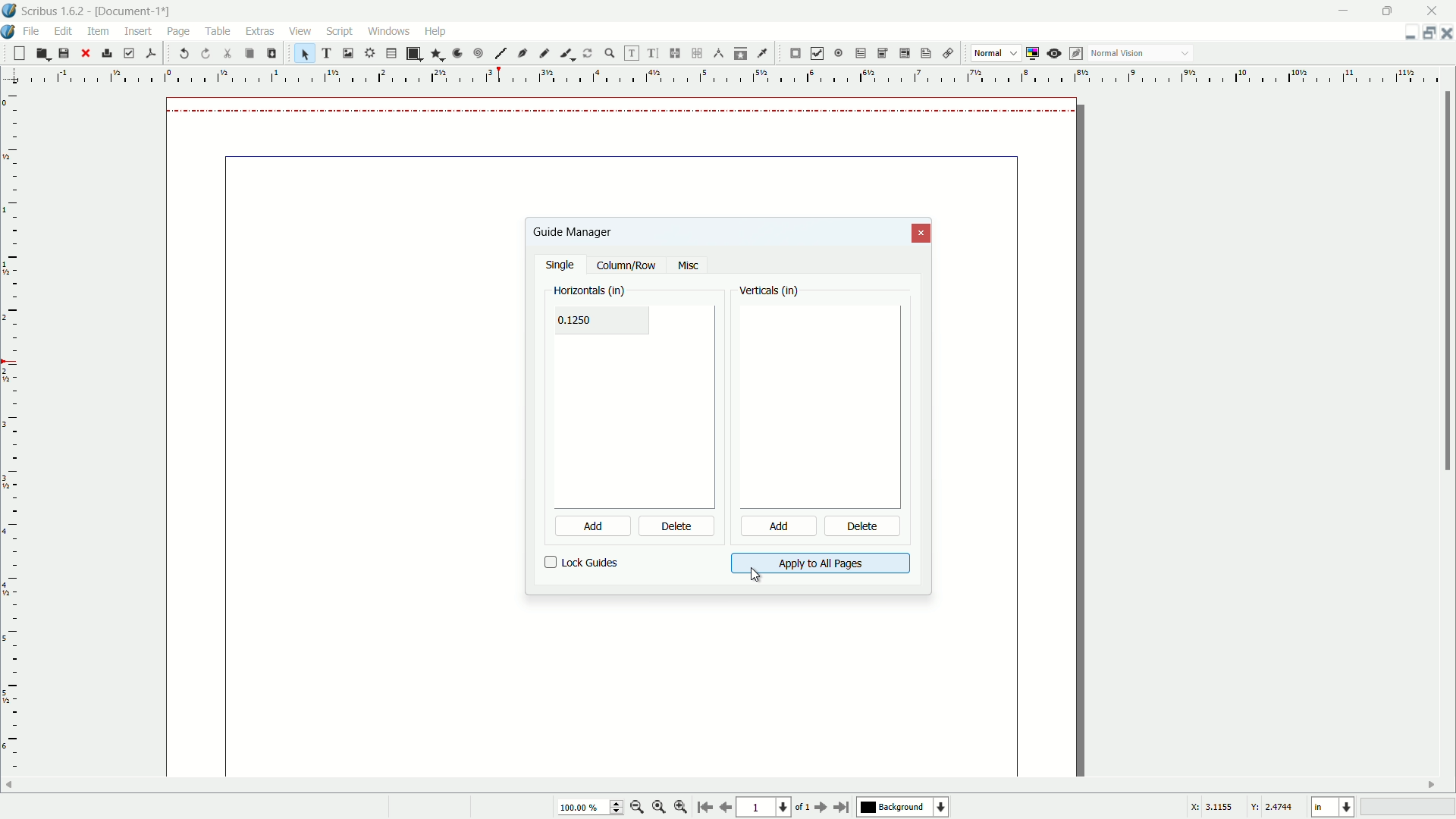 The width and height of the screenshot is (1456, 819). Describe the element at coordinates (1034, 53) in the screenshot. I see `toggle color management system` at that location.